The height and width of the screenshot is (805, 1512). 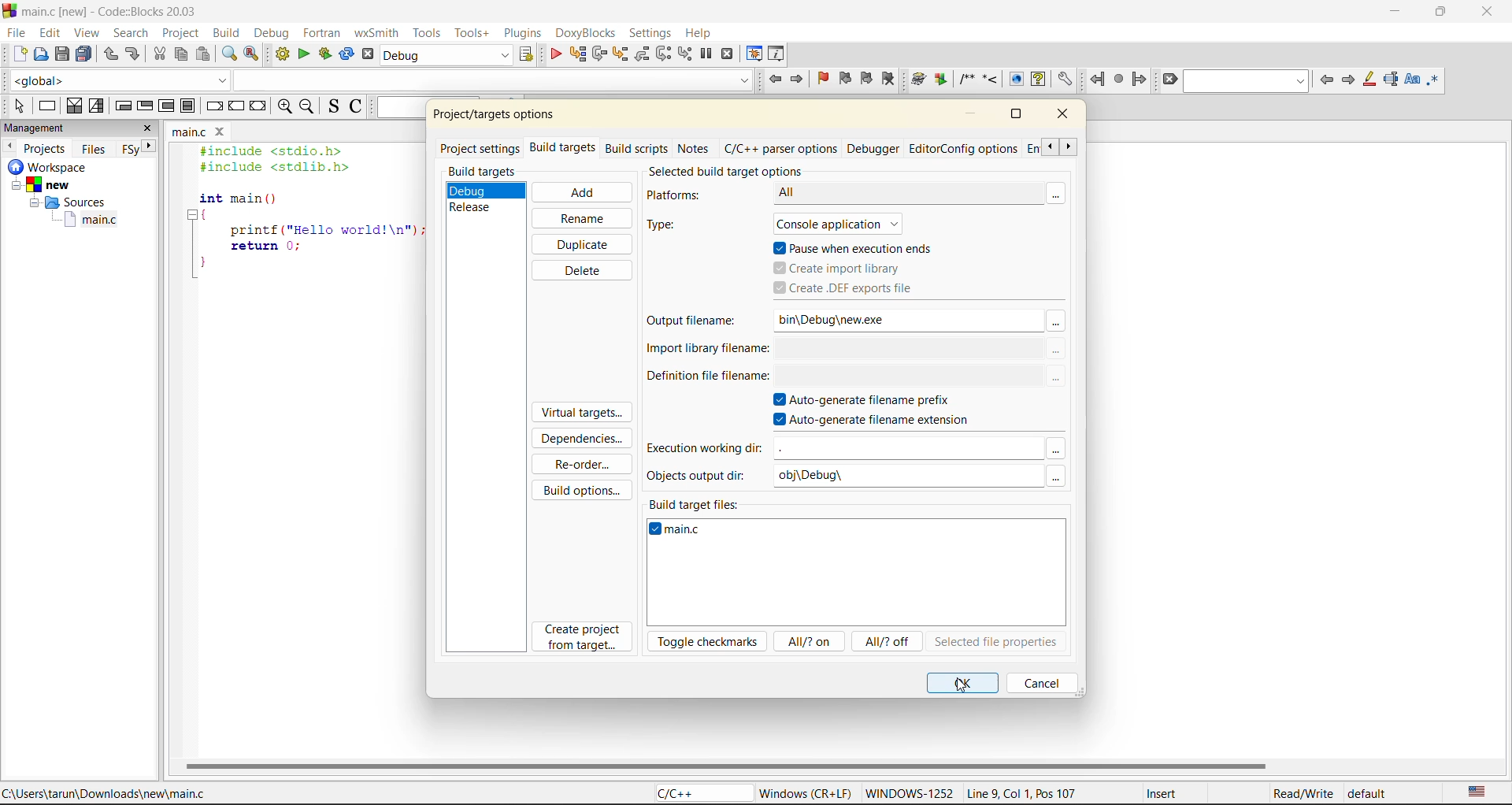 I want to click on #include <stdio.h>

#include <stdlib.h>

int main ()

{
printf ("Hello world!\n");
return 0;

}, so click(x=305, y=215).